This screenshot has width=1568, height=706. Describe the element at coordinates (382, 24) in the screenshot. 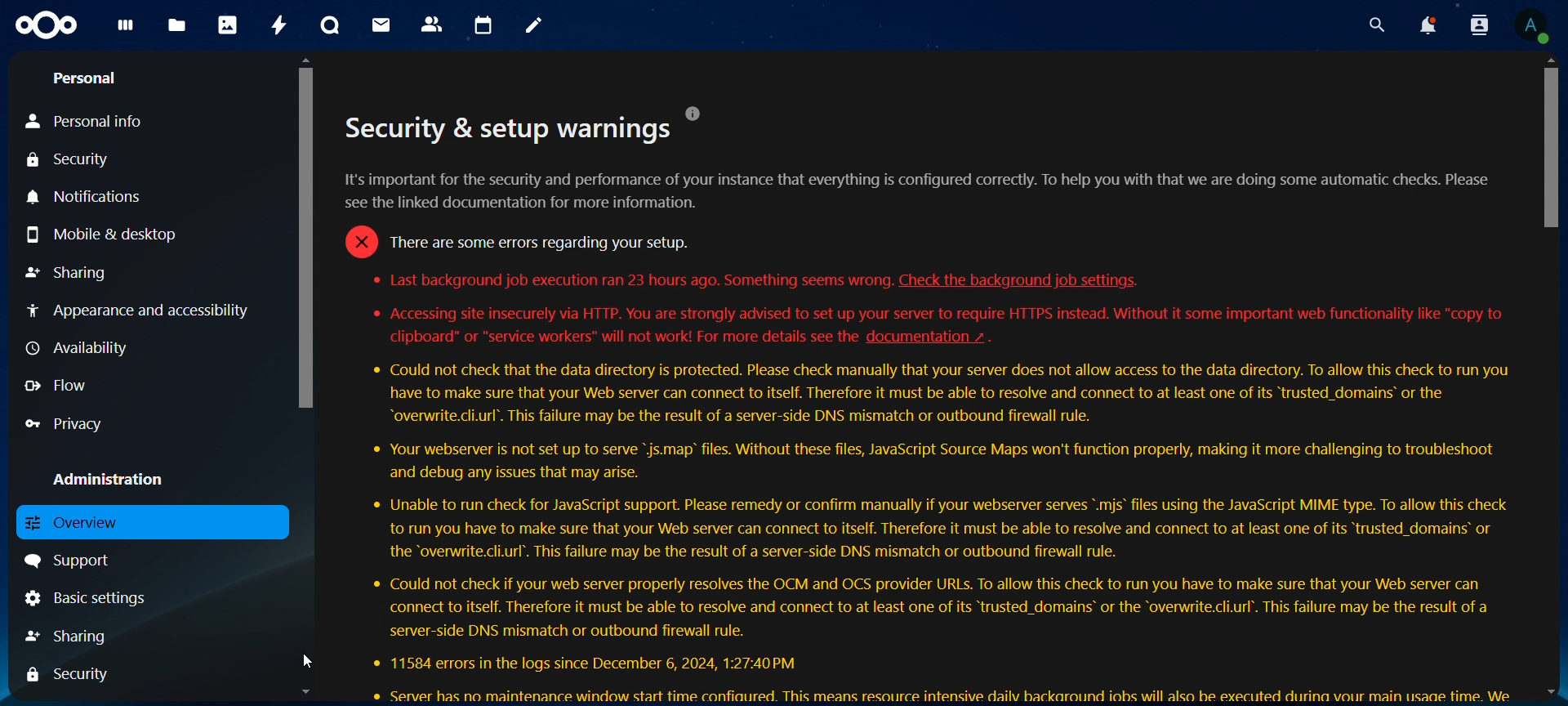

I see `mail` at that location.